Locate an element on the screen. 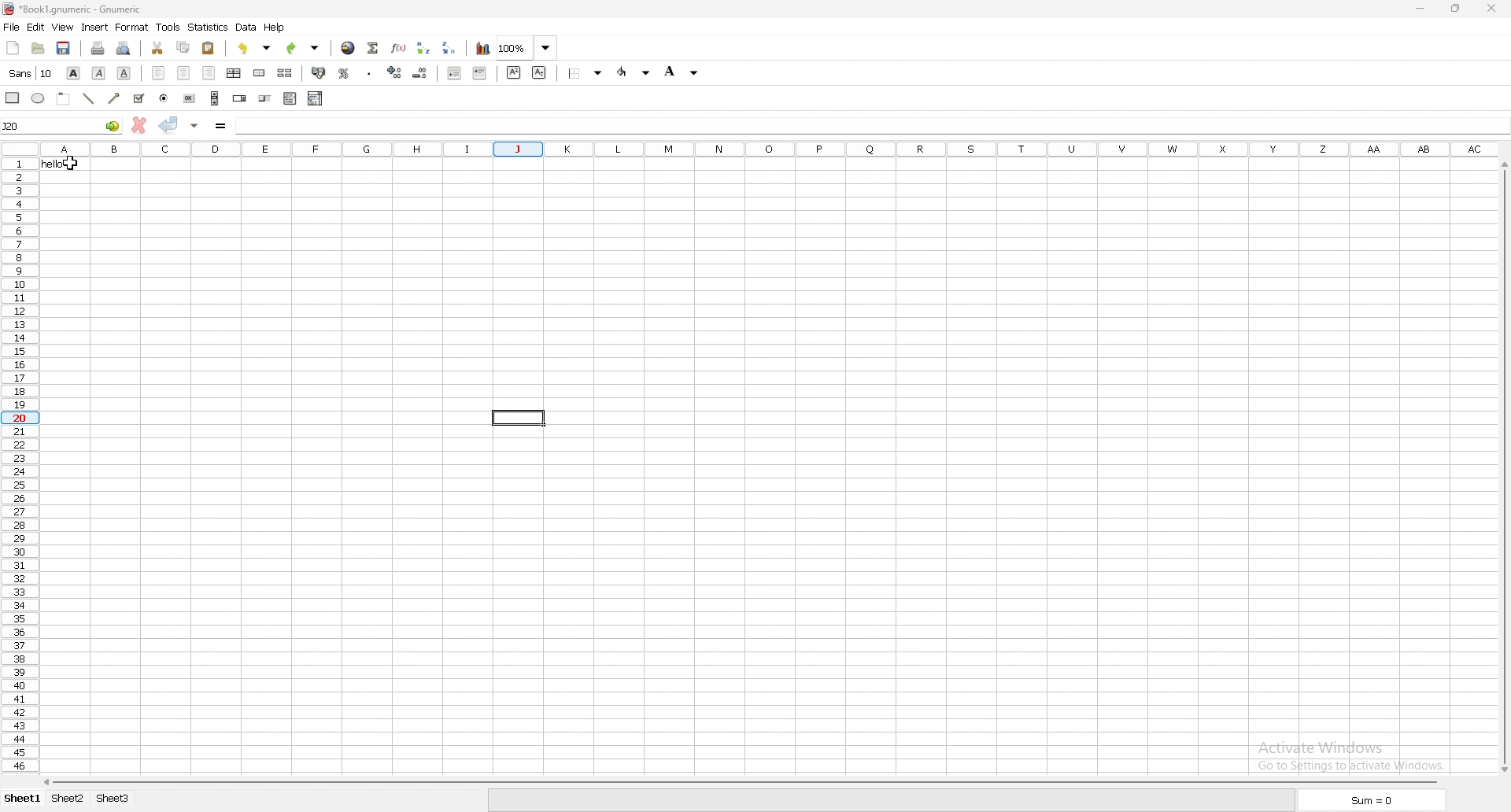 The width and height of the screenshot is (1511, 812). function is located at coordinates (397, 48).